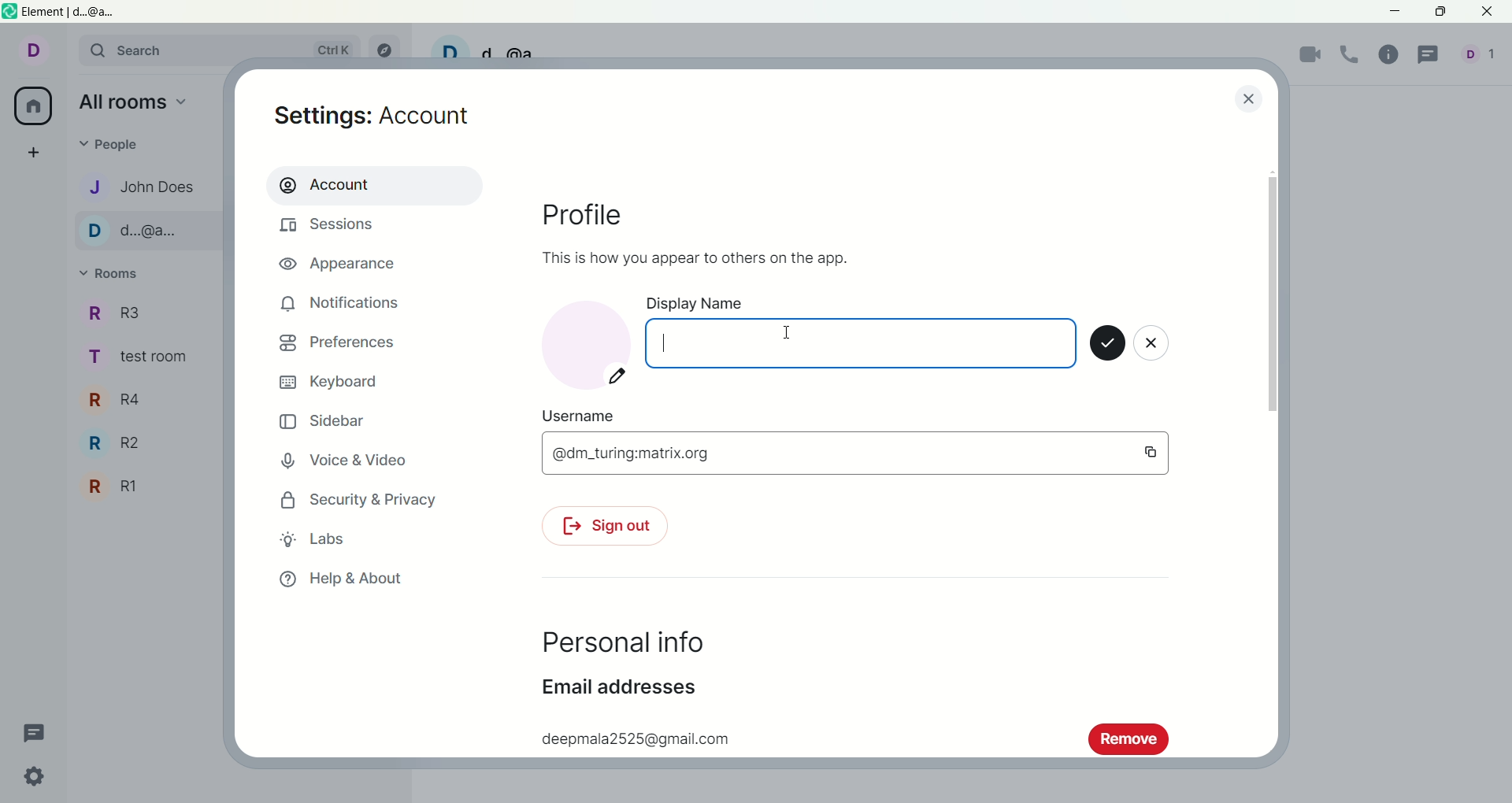  What do you see at coordinates (314, 538) in the screenshot?
I see `labs` at bounding box center [314, 538].